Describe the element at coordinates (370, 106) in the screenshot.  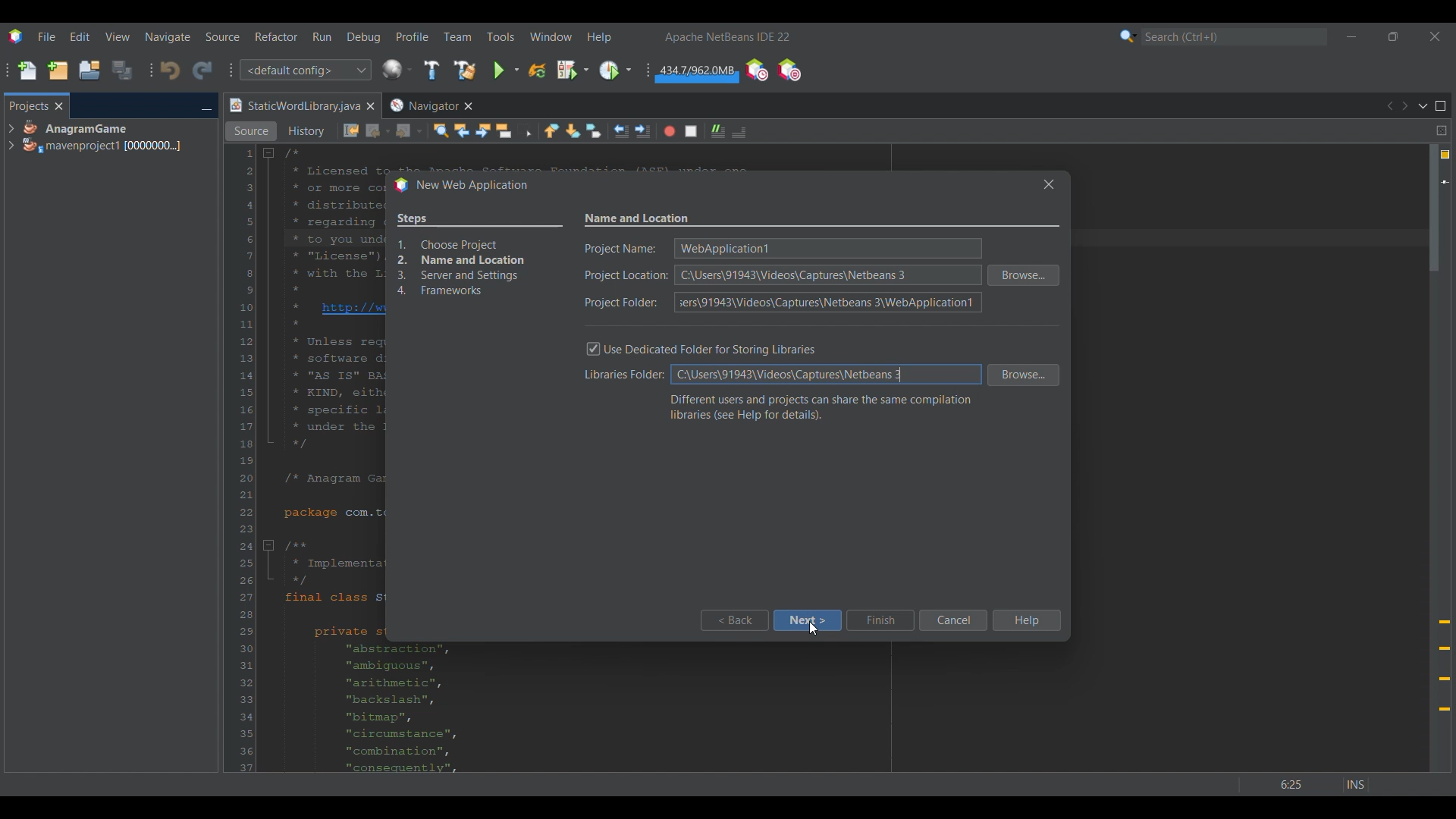
I see `Close` at that location.